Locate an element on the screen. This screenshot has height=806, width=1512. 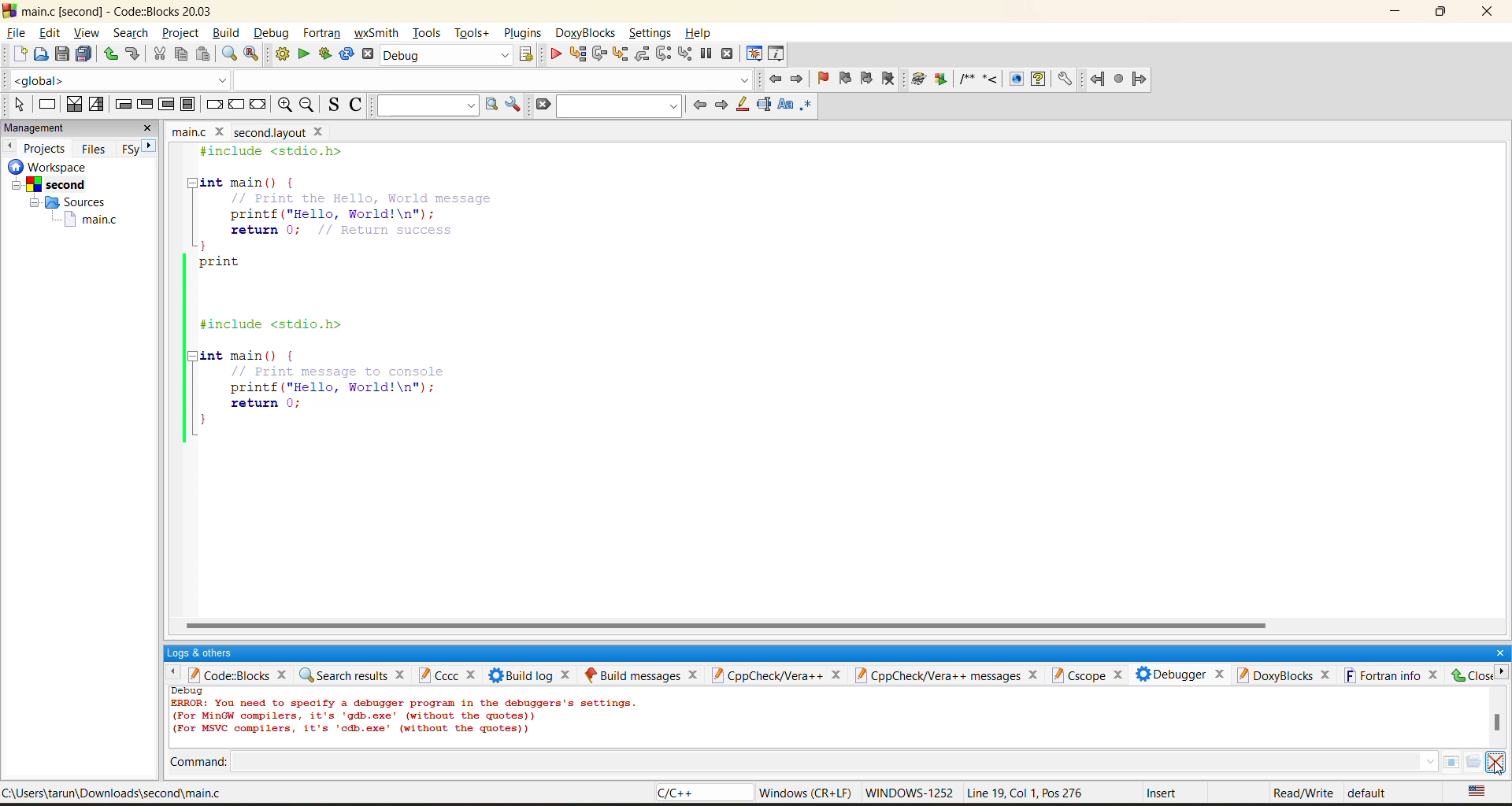
FSy next is located at coordinates (135, 149).